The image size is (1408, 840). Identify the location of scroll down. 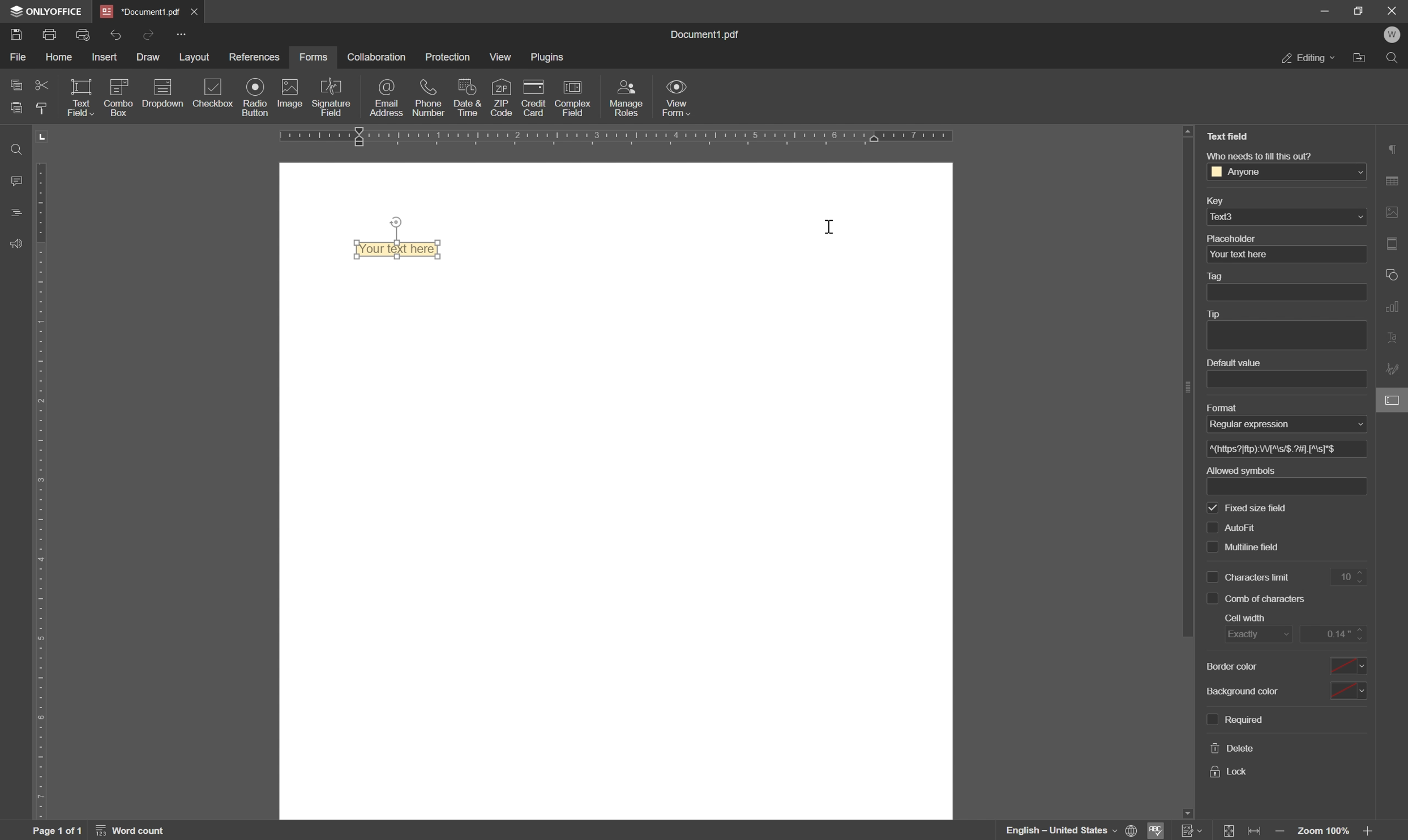
(1186, 811).